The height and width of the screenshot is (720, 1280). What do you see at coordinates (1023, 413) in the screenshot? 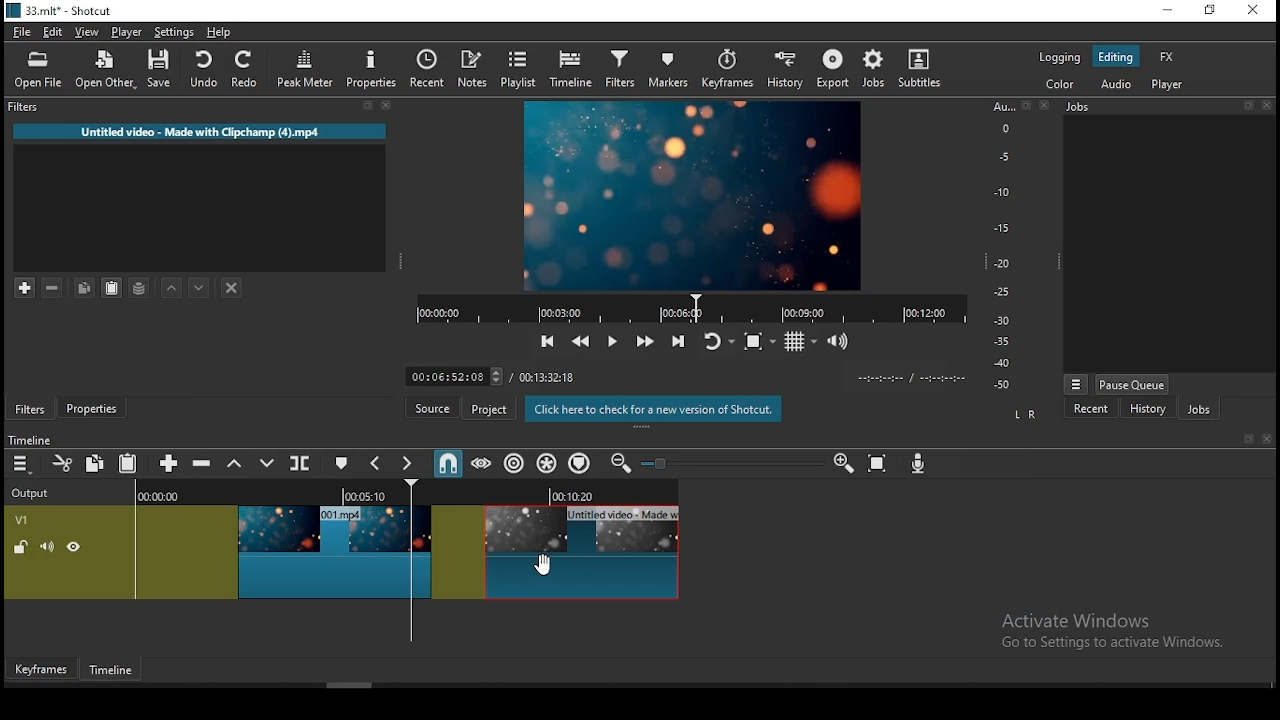
I see `L R` at bounding box center [1023, 413].